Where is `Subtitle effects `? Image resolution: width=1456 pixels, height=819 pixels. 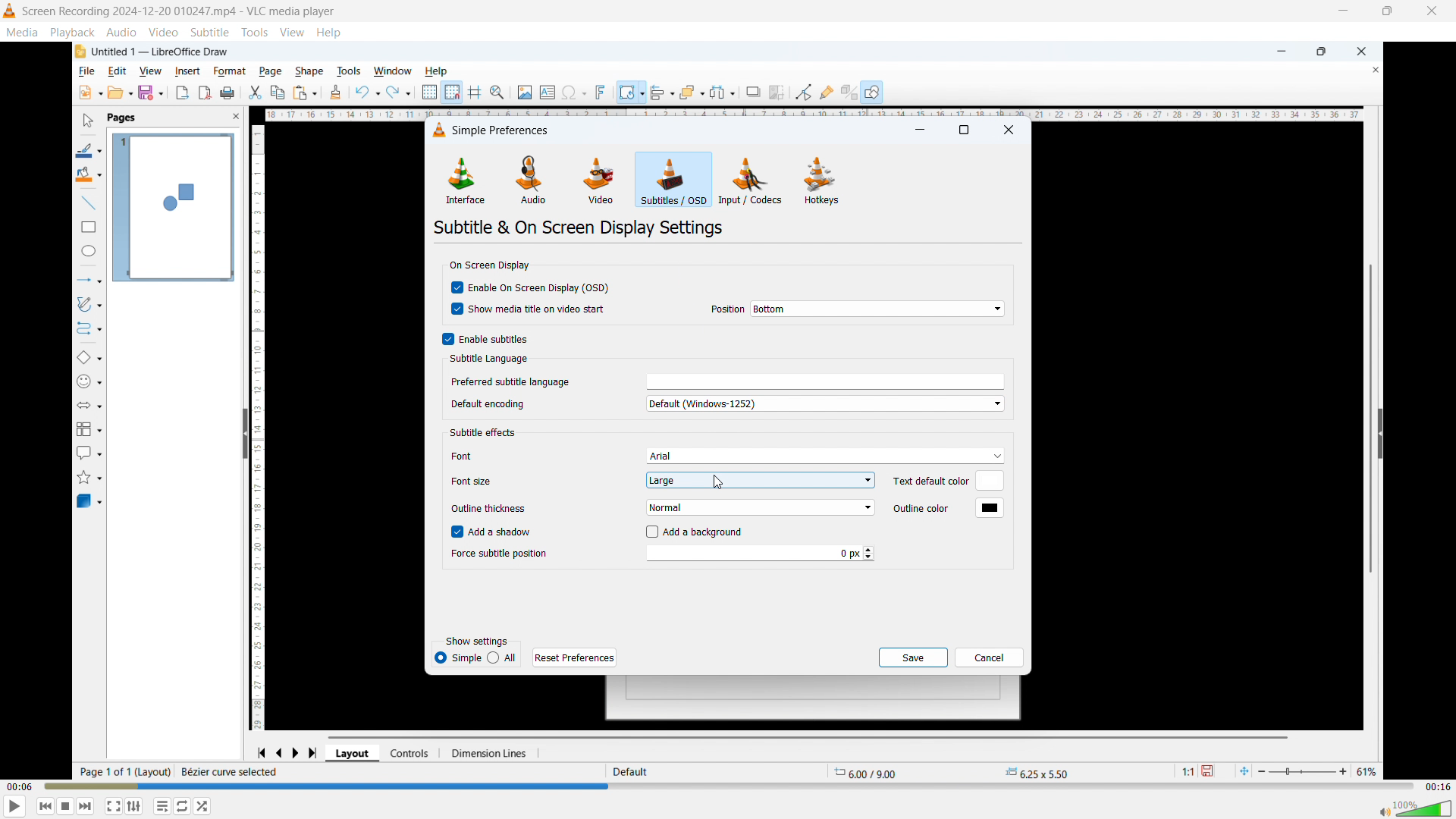 Subtitle effects  is located at coordinates (484, 432).